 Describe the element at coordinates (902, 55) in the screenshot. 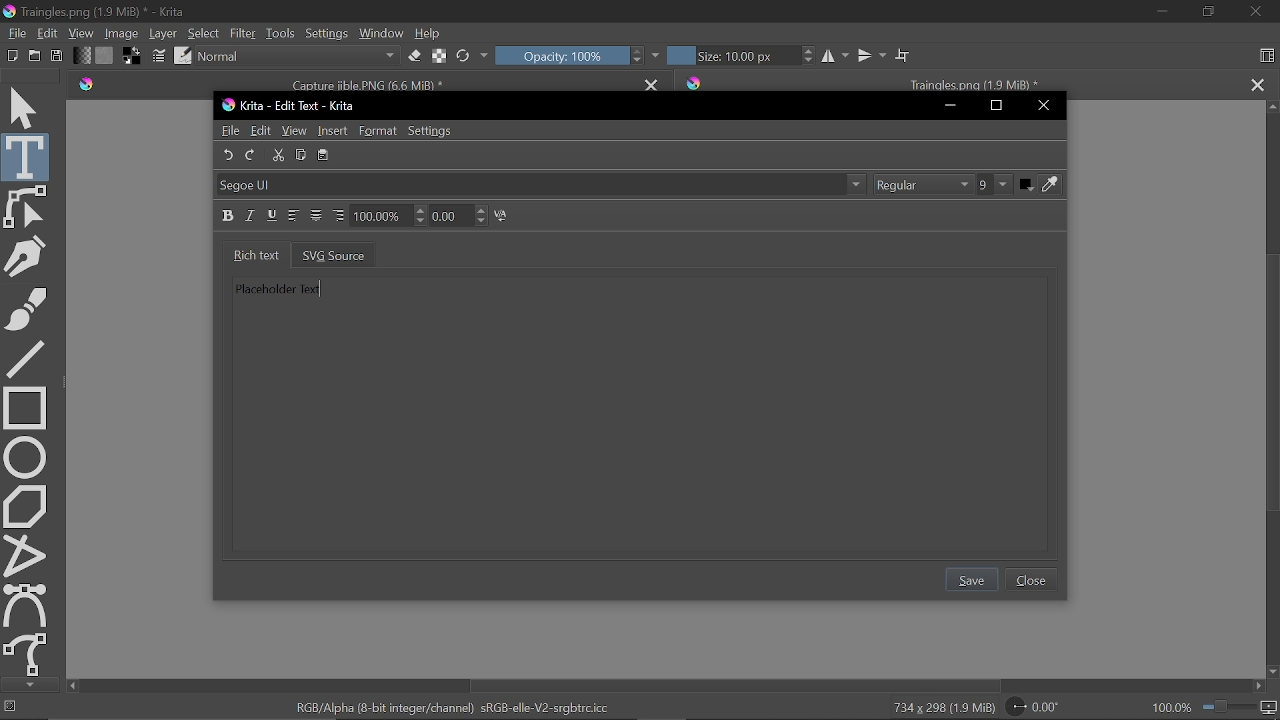

I see `Wrap around mode` at that location.